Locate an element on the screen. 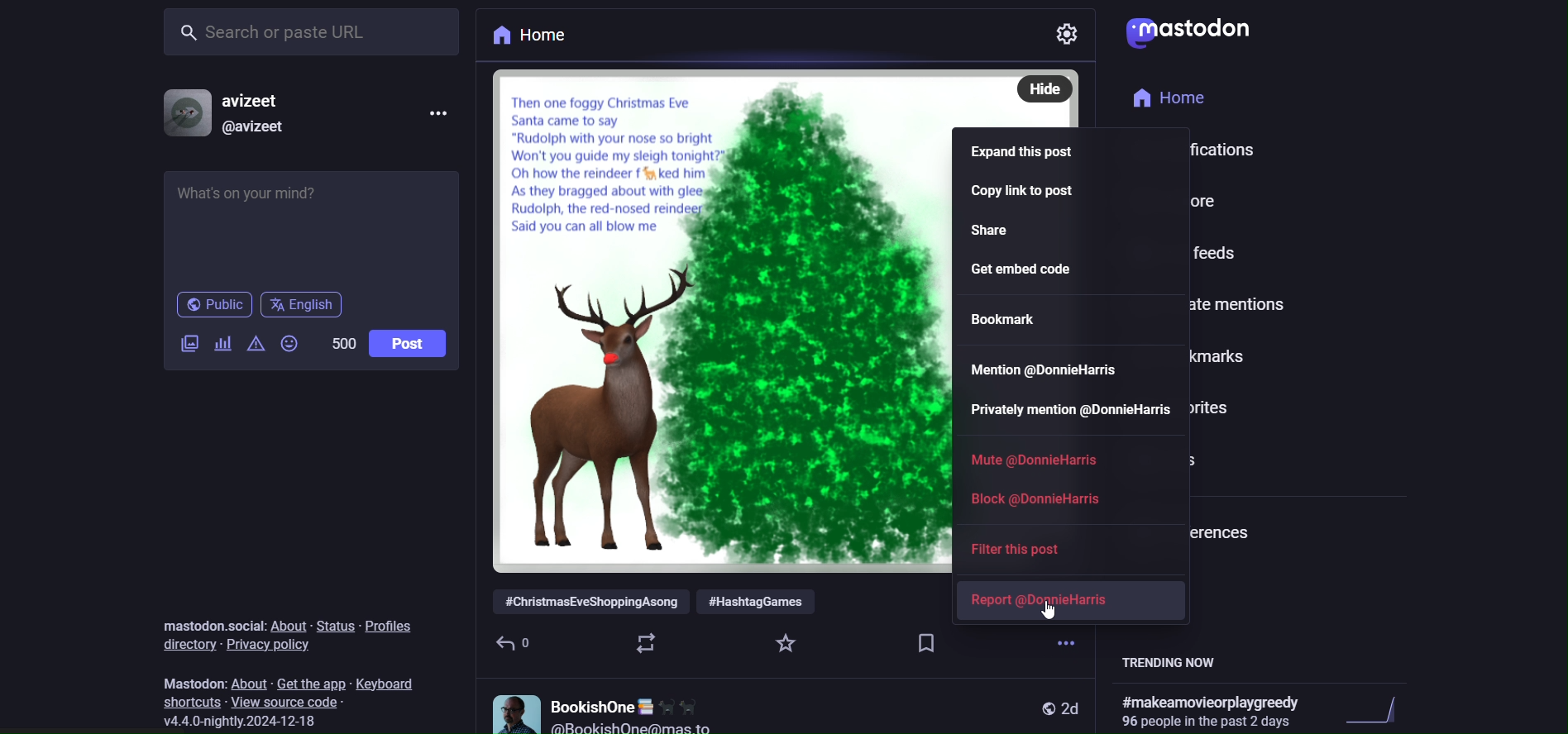 This screenshot has height=734, width=1568. lists is located at coordinates (1185, 456).